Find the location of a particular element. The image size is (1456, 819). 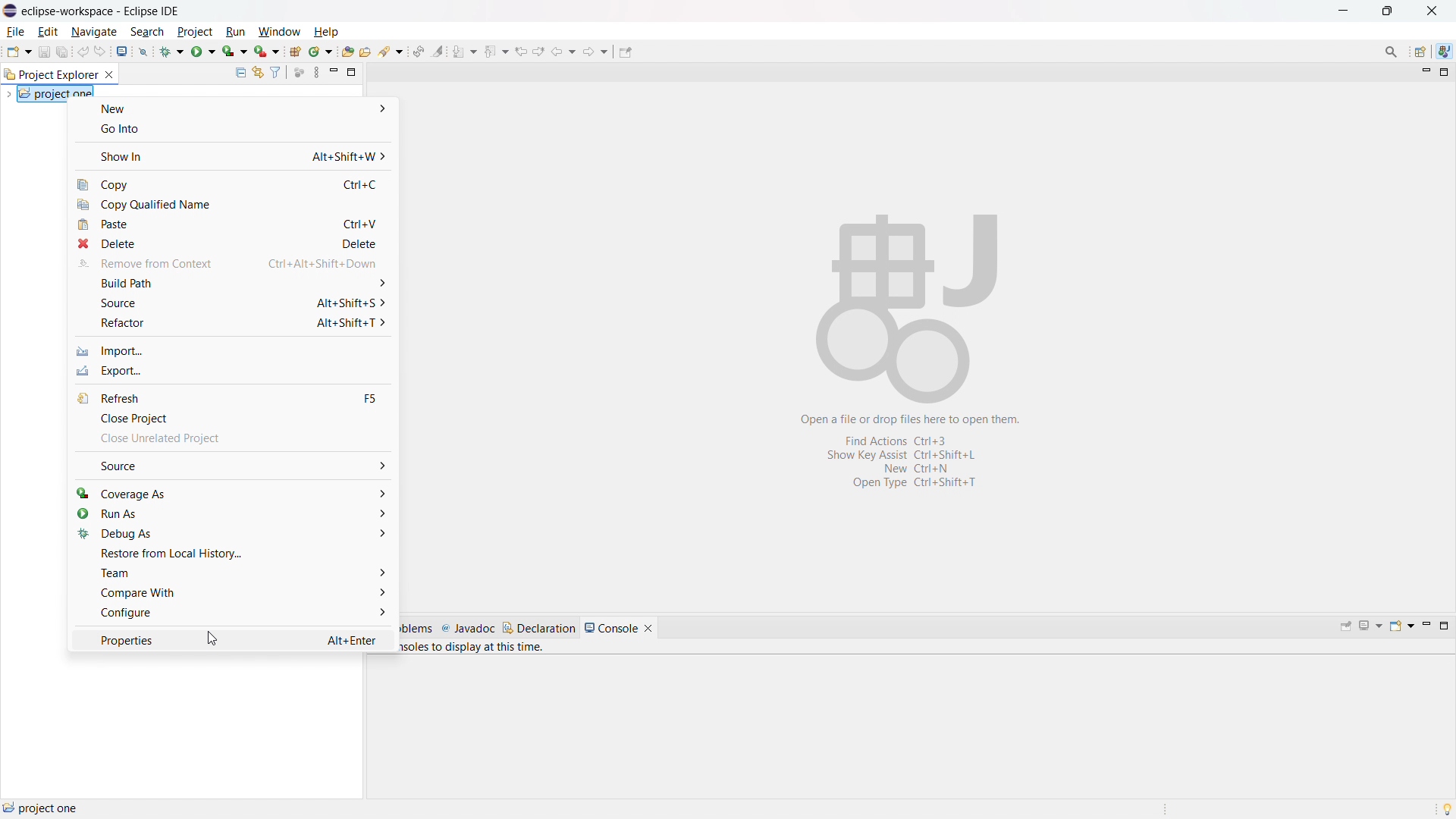

new is located at coordinates (18, 51).